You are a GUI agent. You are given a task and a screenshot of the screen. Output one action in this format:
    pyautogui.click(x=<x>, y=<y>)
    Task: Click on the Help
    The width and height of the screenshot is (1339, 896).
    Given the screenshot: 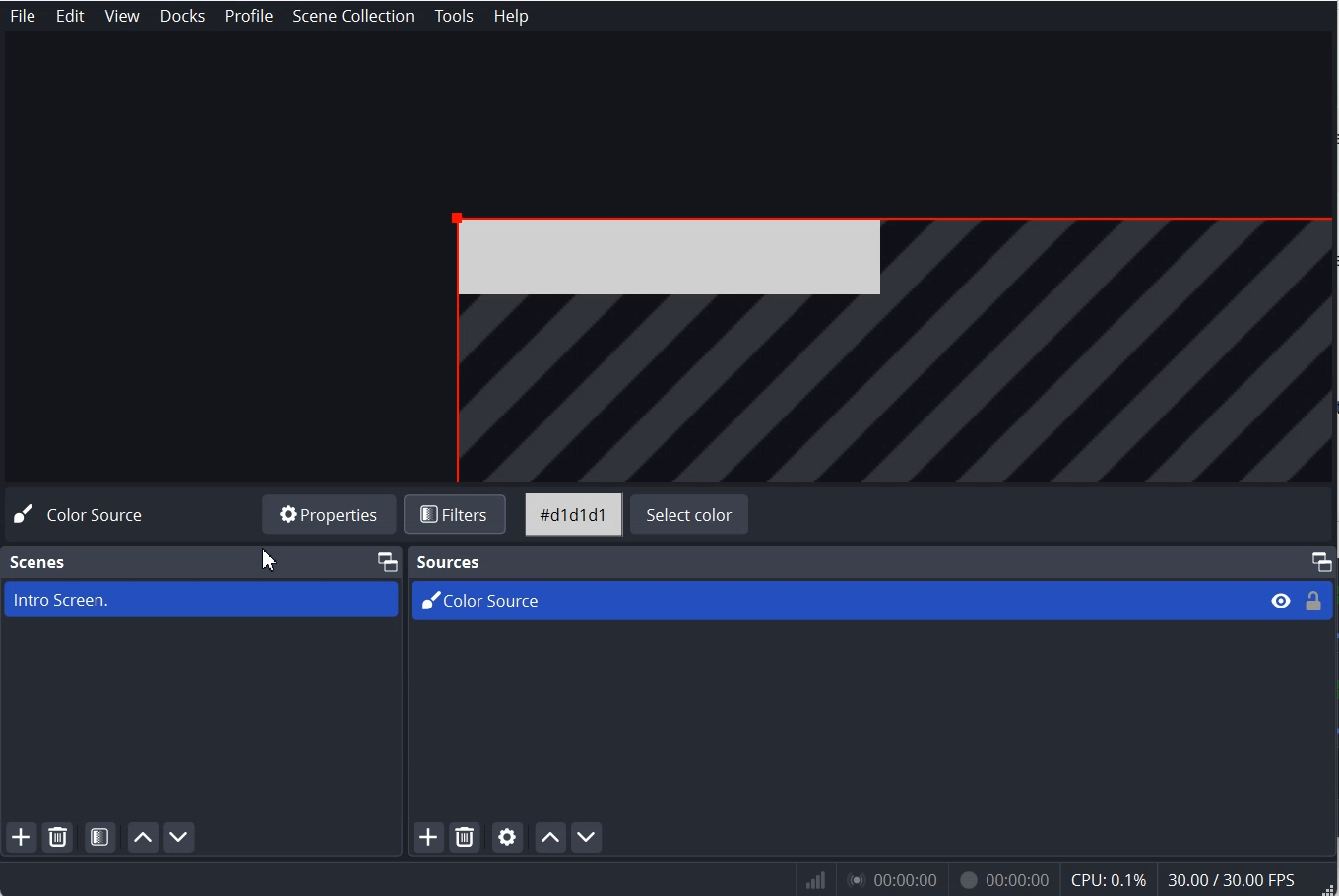 What is the action you would take?
    pyautogui.click(x=510, y=15)
    